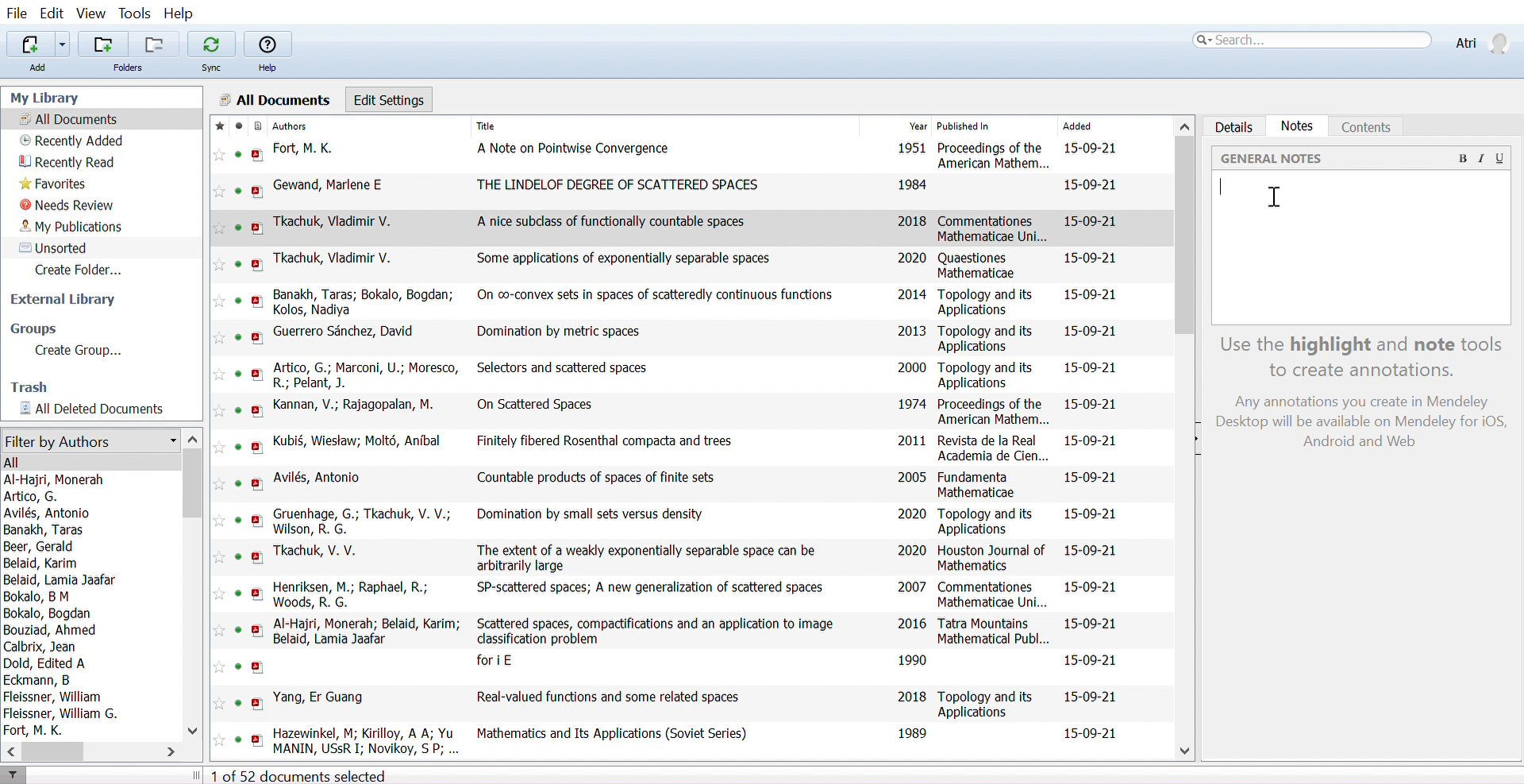 The width and height of the screenshot is (1524, 784). Describe the element at coordinates (257, 155) in the screenshot. I see `open PDF` at that location.